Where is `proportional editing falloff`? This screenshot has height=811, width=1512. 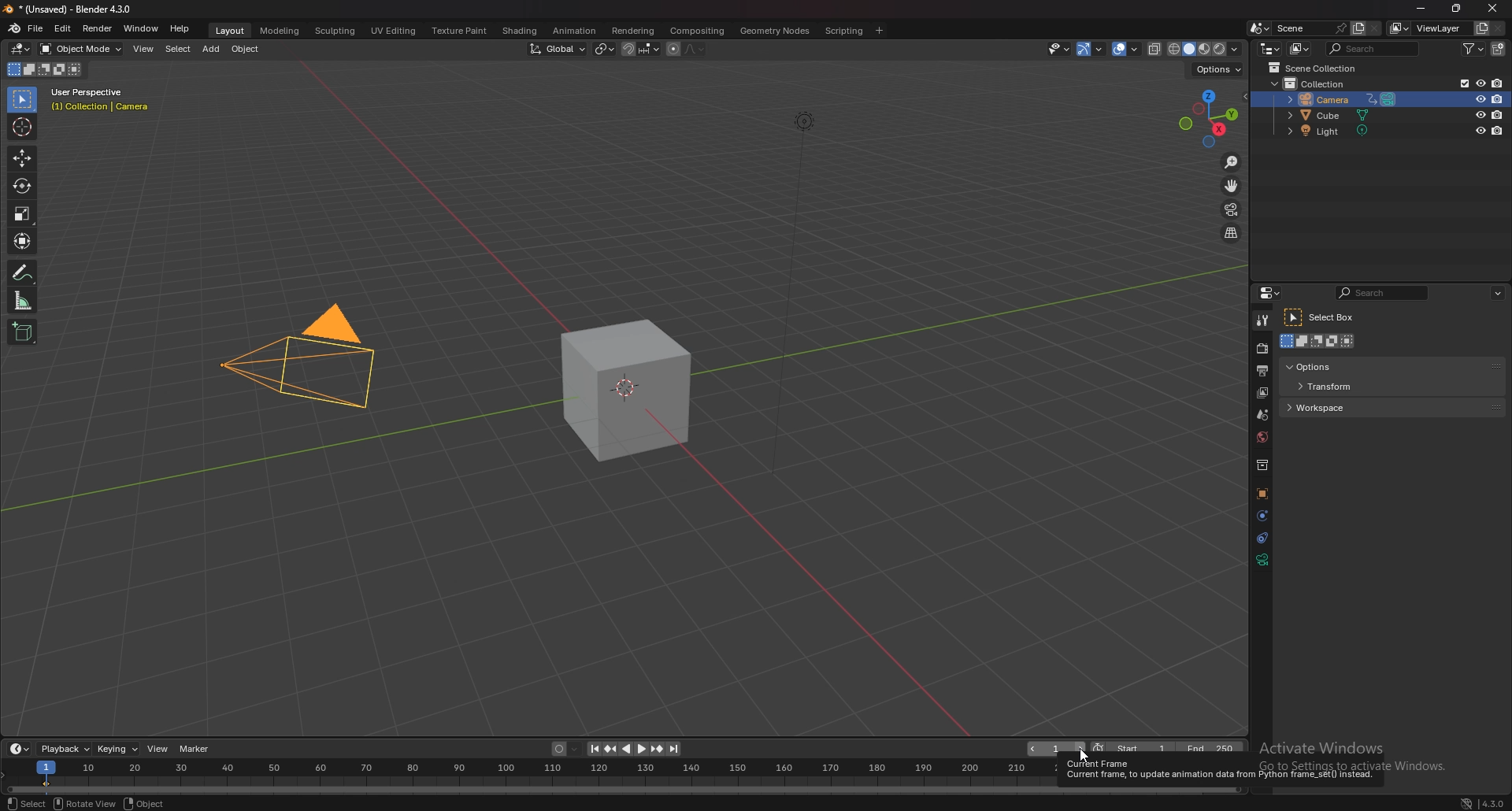 proportional editing falloff is located at coordinates (697, 48).